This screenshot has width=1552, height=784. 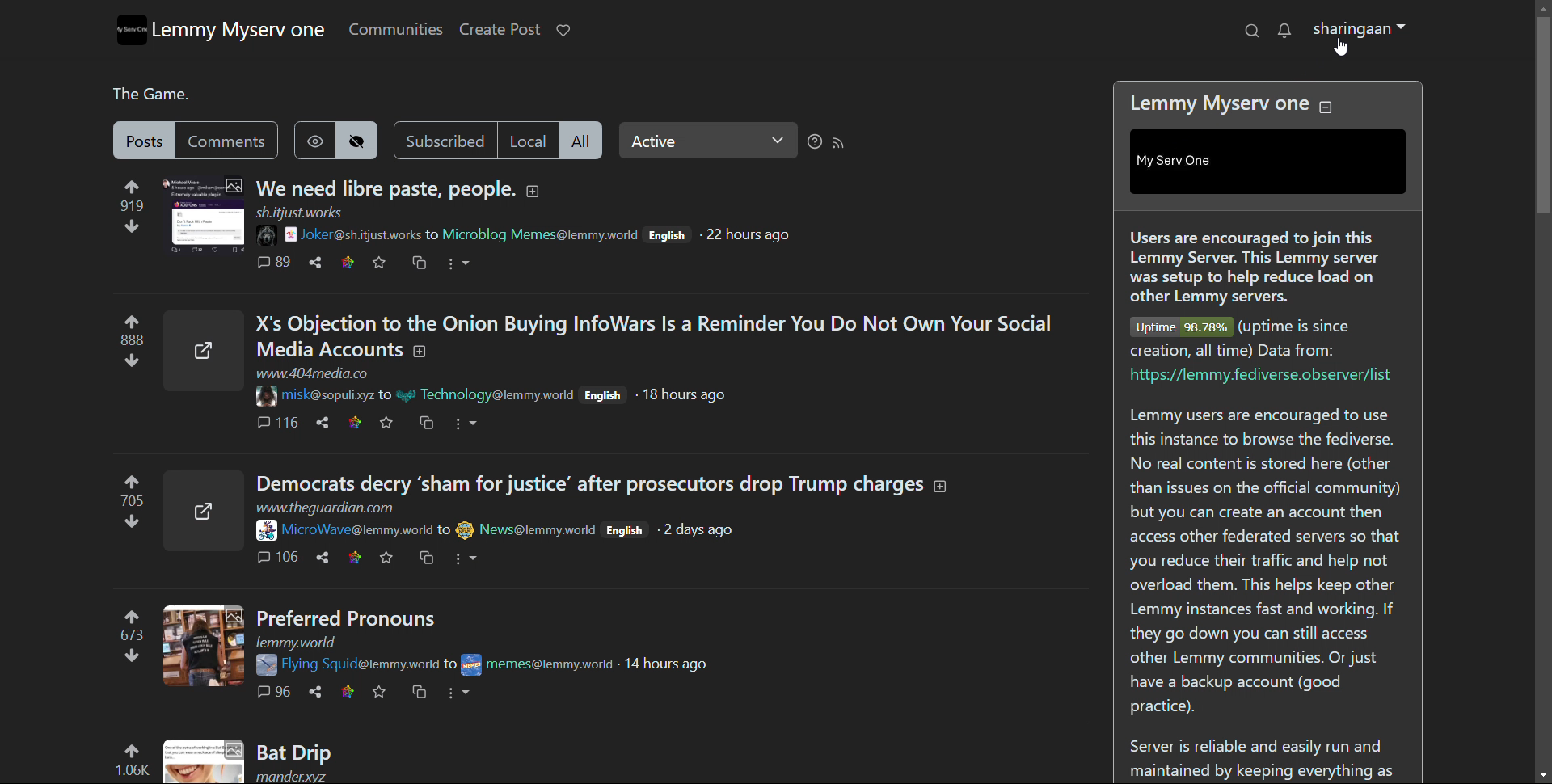 What do you see at coordinates (204, 761) in the screenshot?
I see `thumbnail` at bounding box center [204, 761].